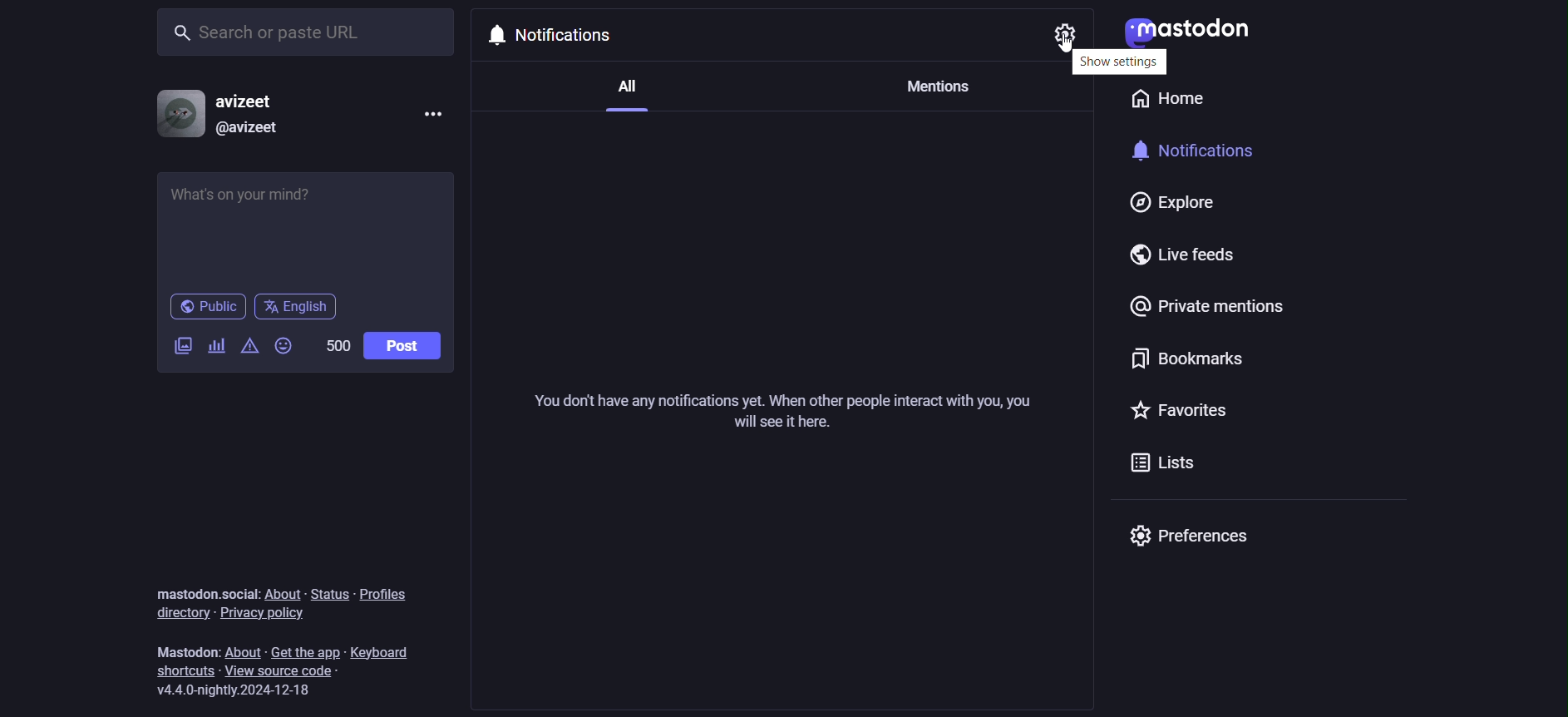 This screenshot has width=1568, height=717. I want to click on profiles, so click(386, 593).